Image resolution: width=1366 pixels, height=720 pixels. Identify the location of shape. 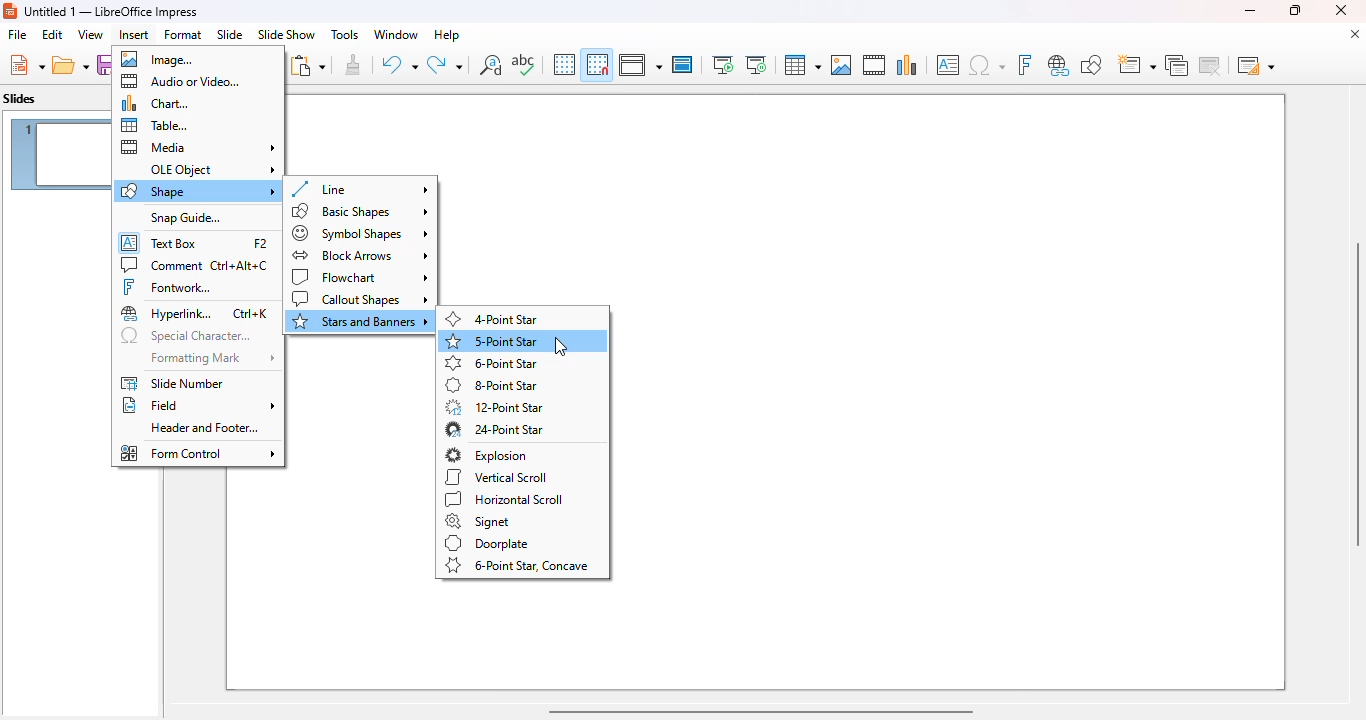
(197, 191).